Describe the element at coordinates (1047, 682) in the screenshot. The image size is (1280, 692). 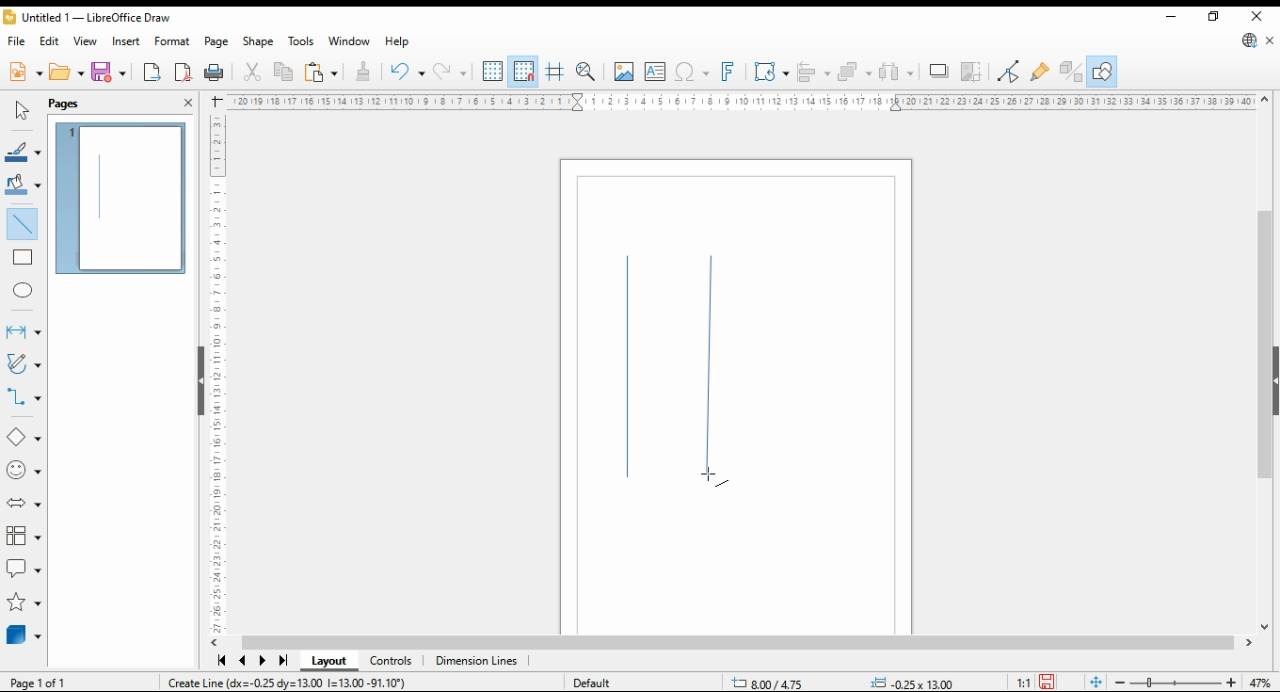
I see `save` at that location.